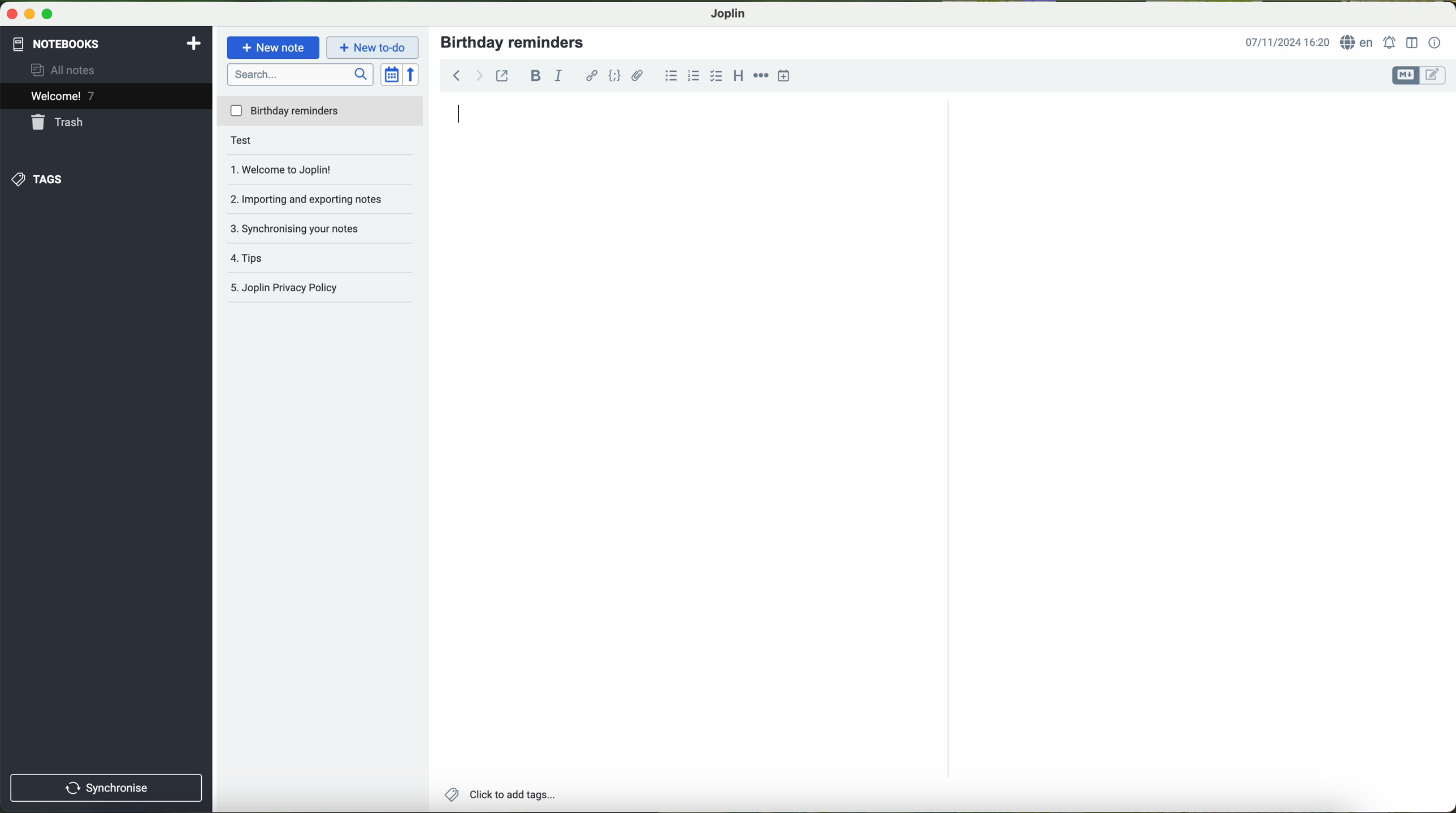  What do you see at coordinates (502, 75) in the screenshot?
I see `toggle external editing` at bounding box center [502, 75].